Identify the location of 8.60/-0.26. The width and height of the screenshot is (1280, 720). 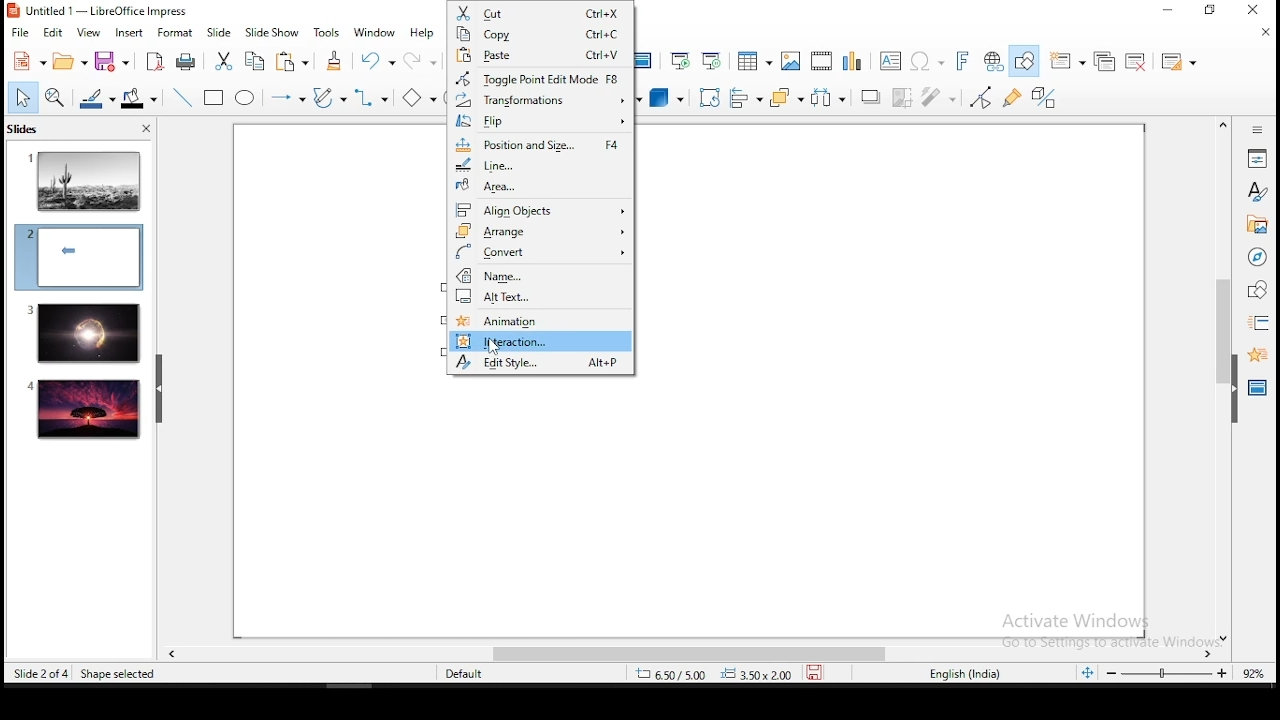
(673, 676).